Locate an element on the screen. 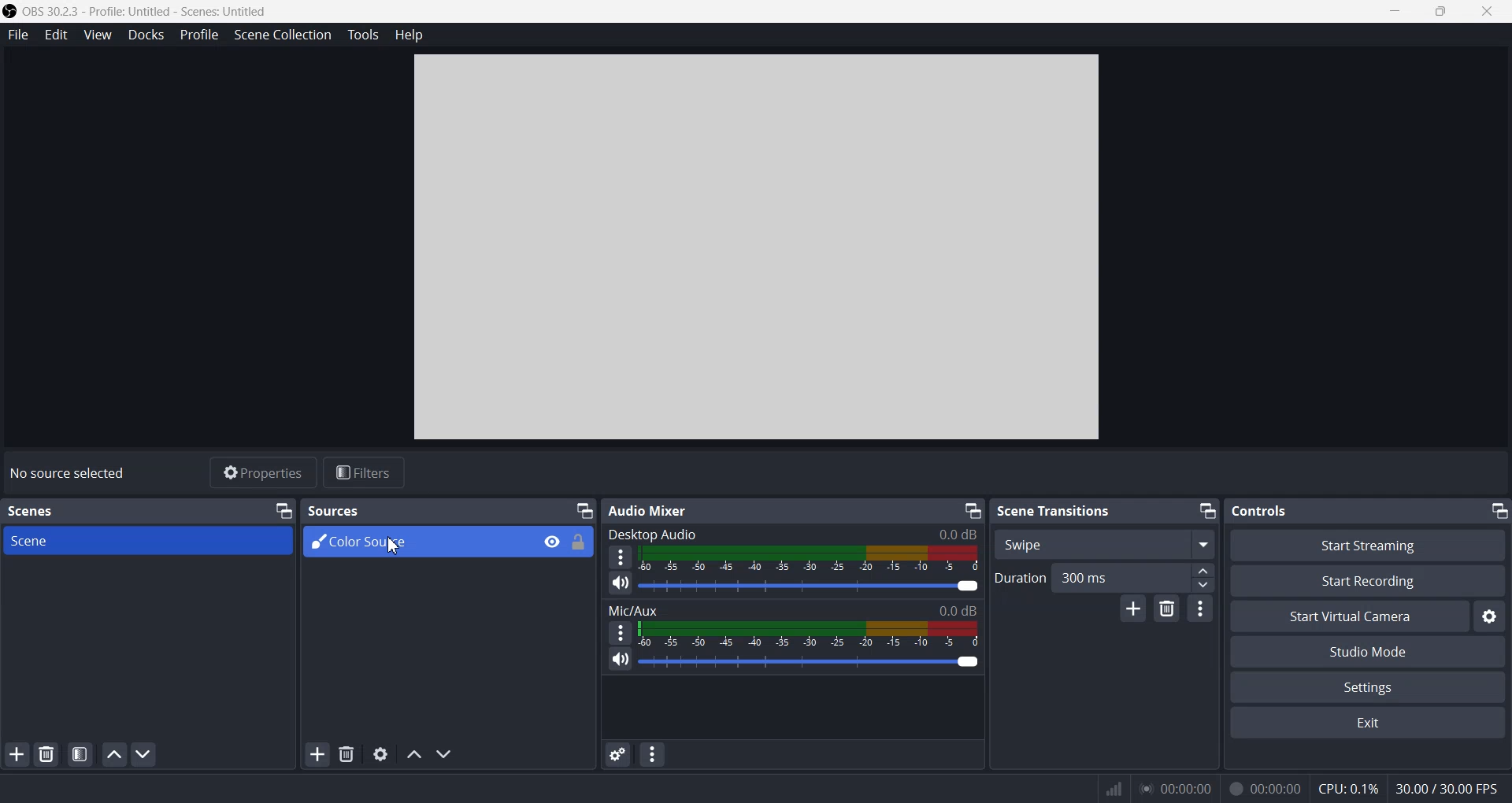 Image resolution: width=1512 pixels, height=803 pixels. Help is located at coordinates (411, 34).